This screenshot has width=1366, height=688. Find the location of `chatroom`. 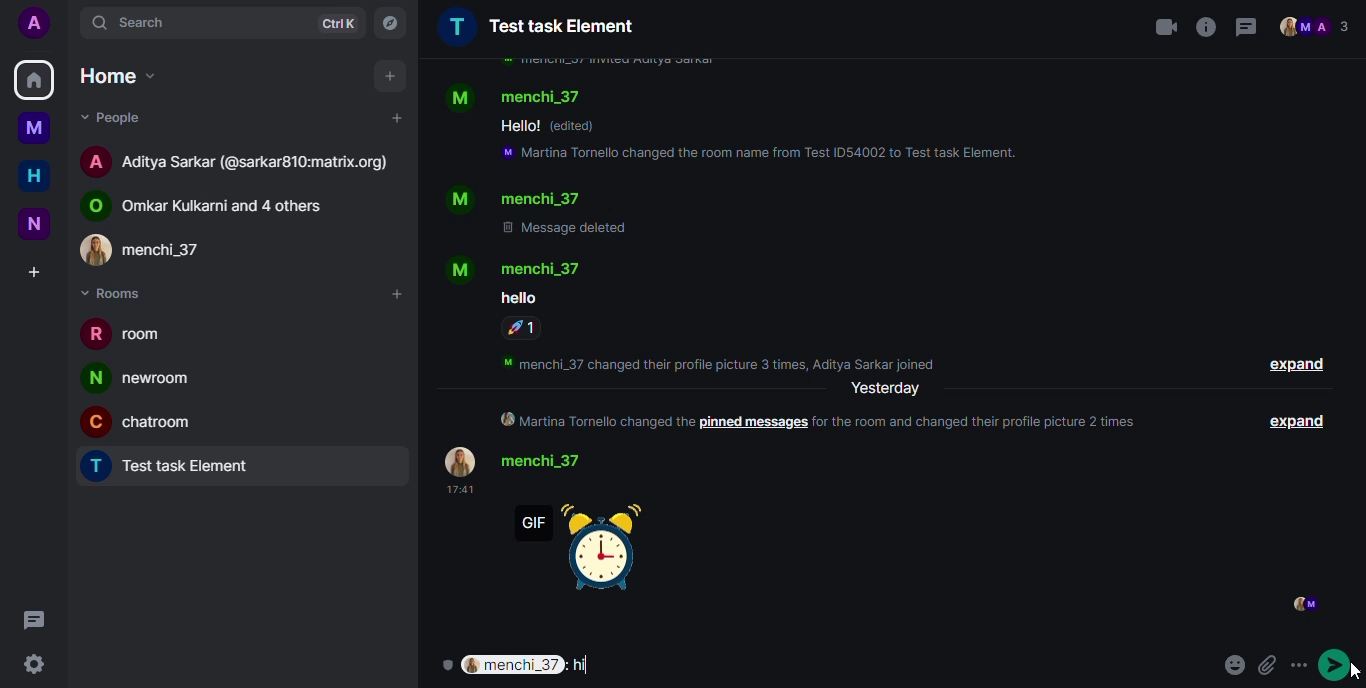

chatroom is located at coordinates (146, 420).